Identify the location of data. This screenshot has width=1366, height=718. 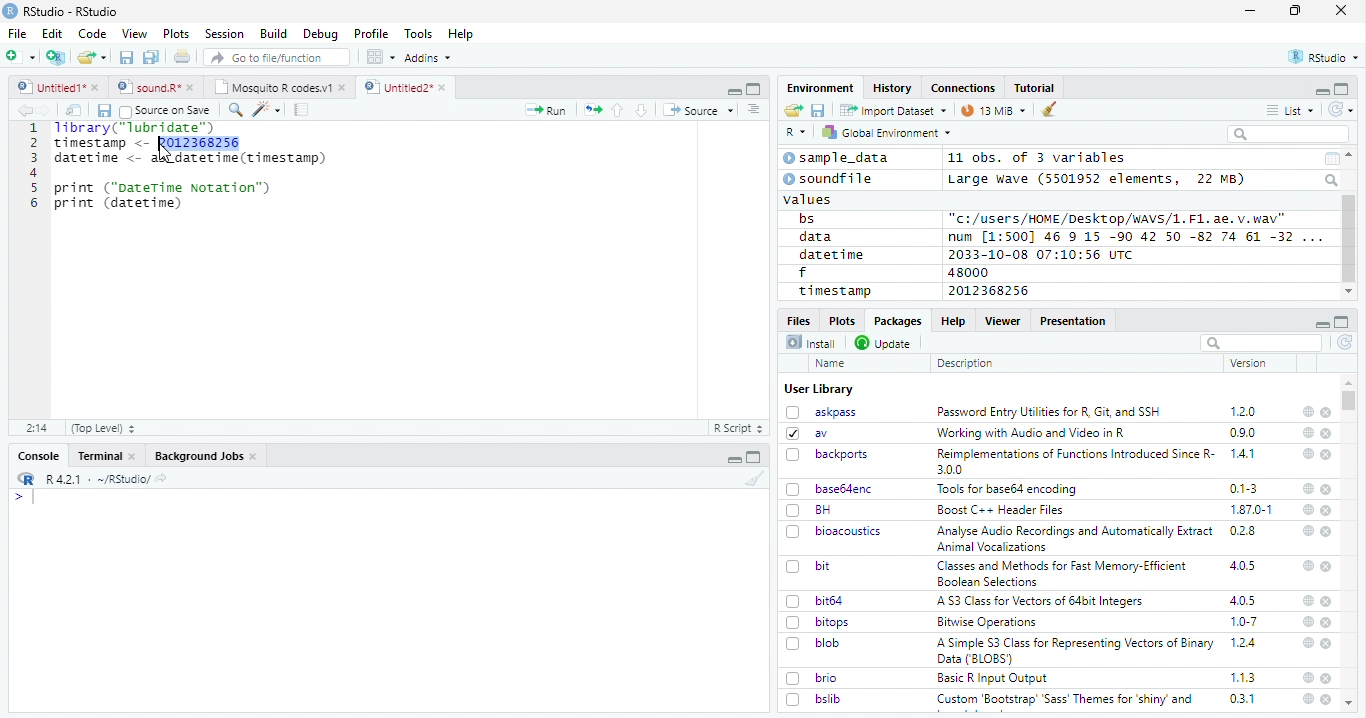
(819, 237).